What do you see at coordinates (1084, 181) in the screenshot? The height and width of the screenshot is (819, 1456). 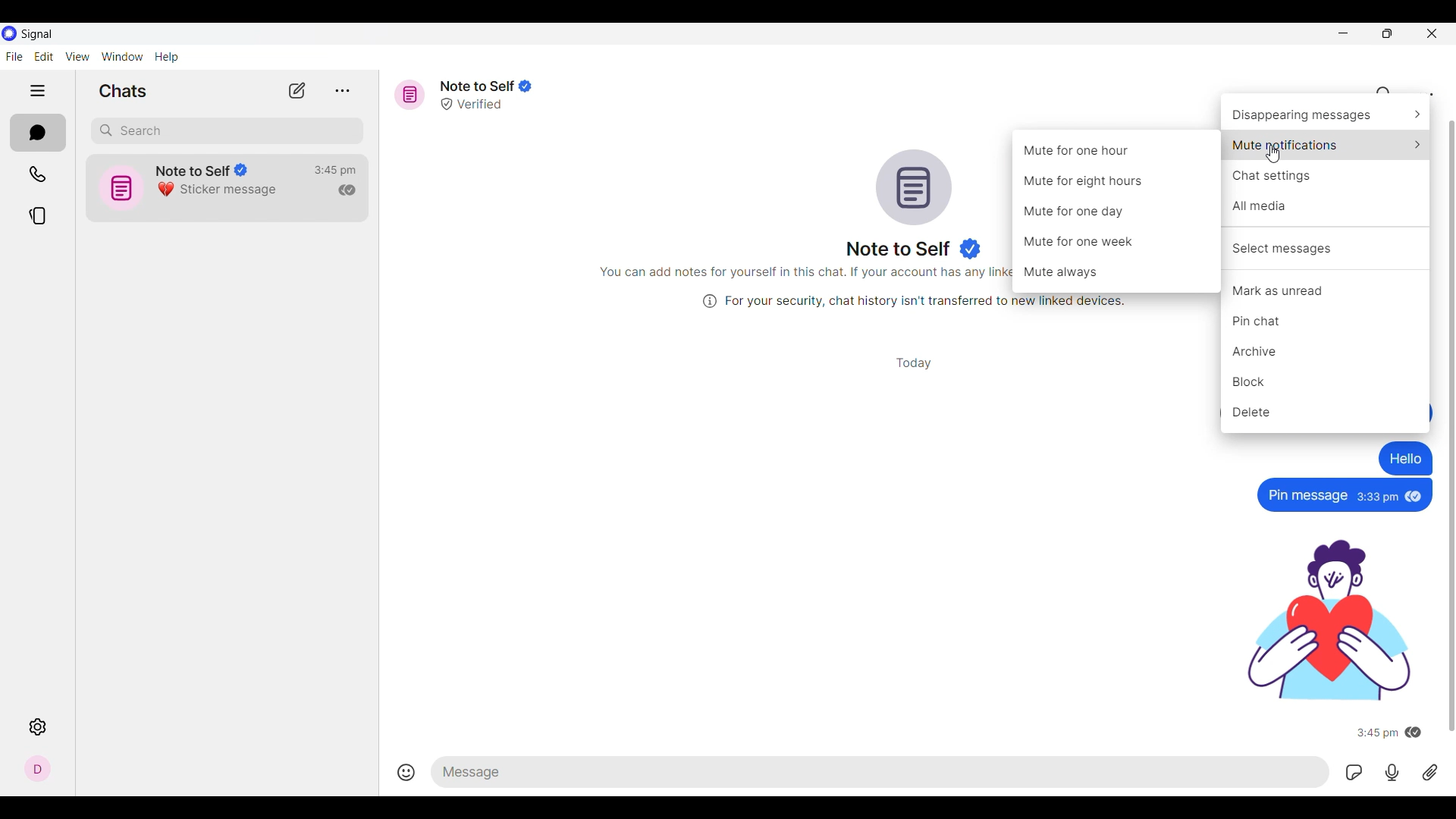 I see `Mute for eight hours` at bounding box center [1084, 181].